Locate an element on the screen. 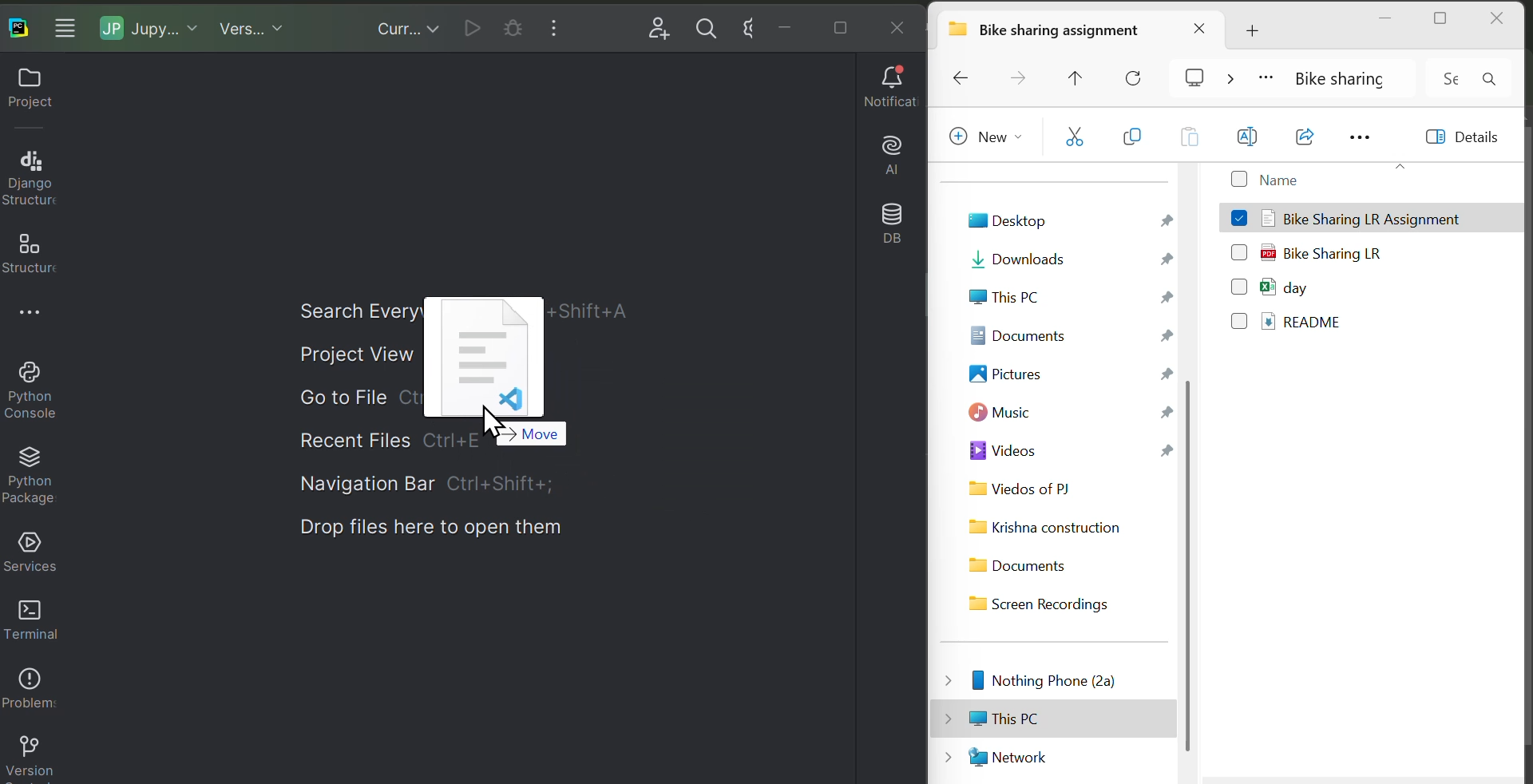 The width and height of the screenshot is (1533, 784). Navigation bar is located at coordinates (466, 485).